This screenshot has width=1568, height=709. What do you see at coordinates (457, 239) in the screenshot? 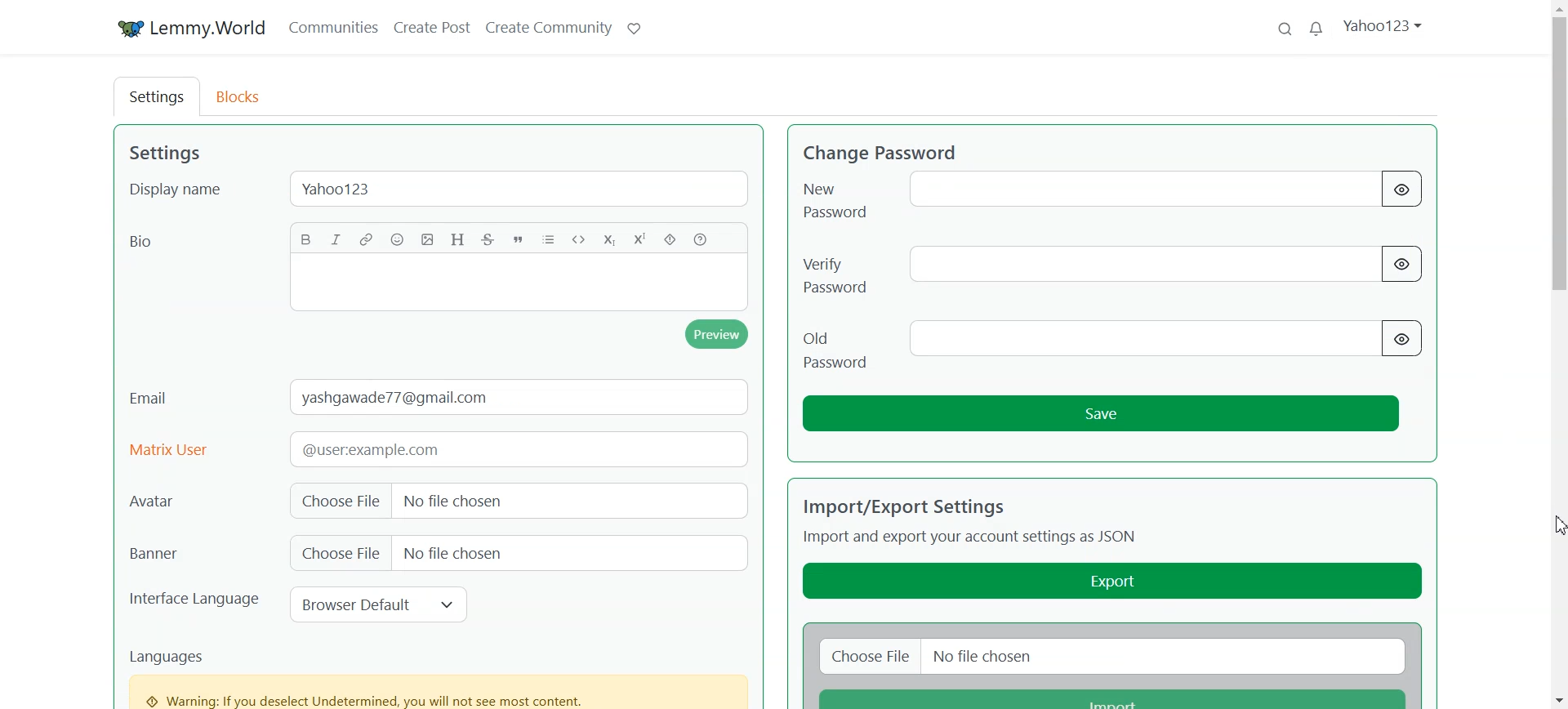
I see `Header` at bounding box center [457, 239].